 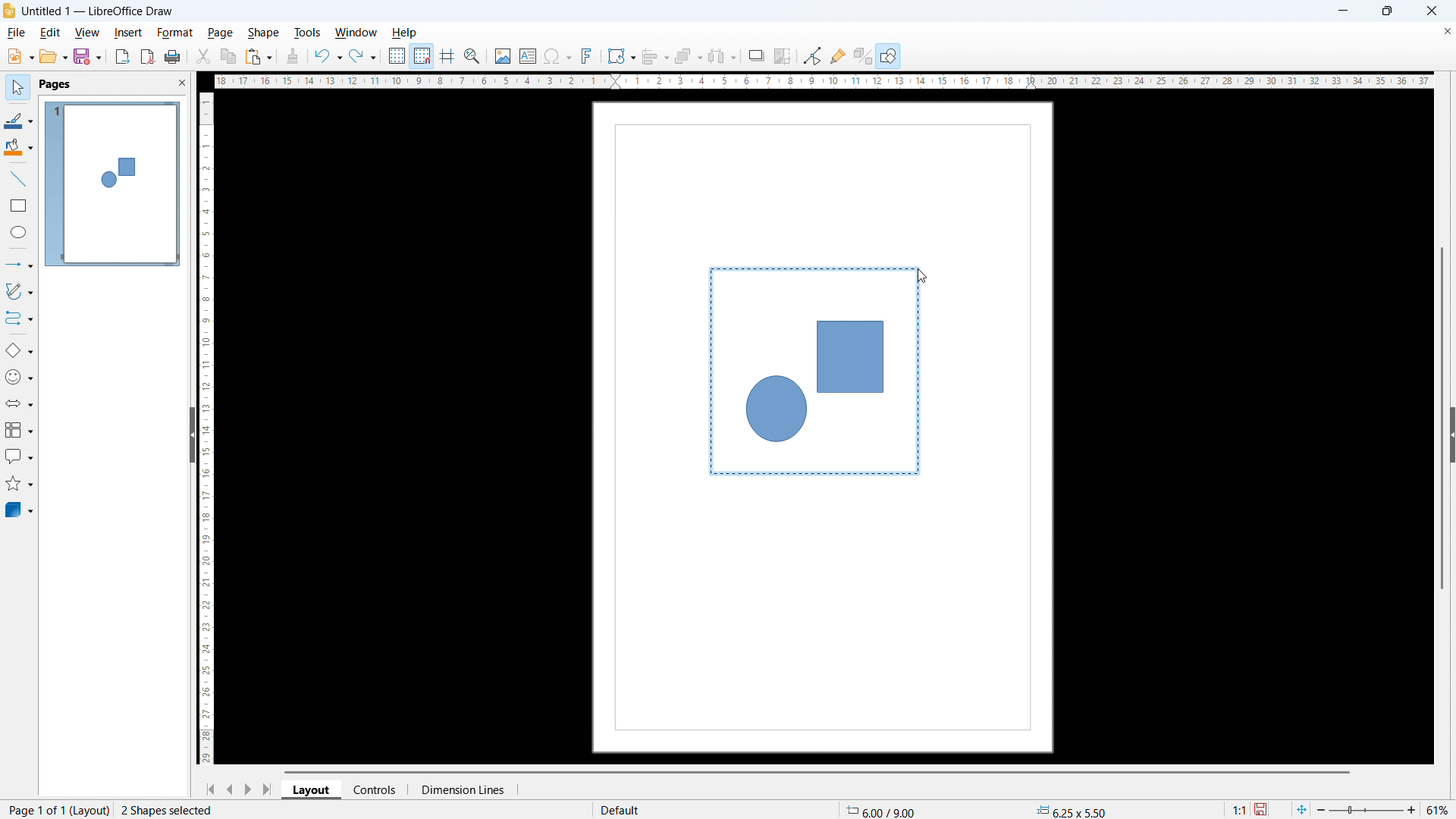 What do you see at coordinates (1068, 809) in the screenshot?
I see `object dimension` at bounding box center [1068, 809].